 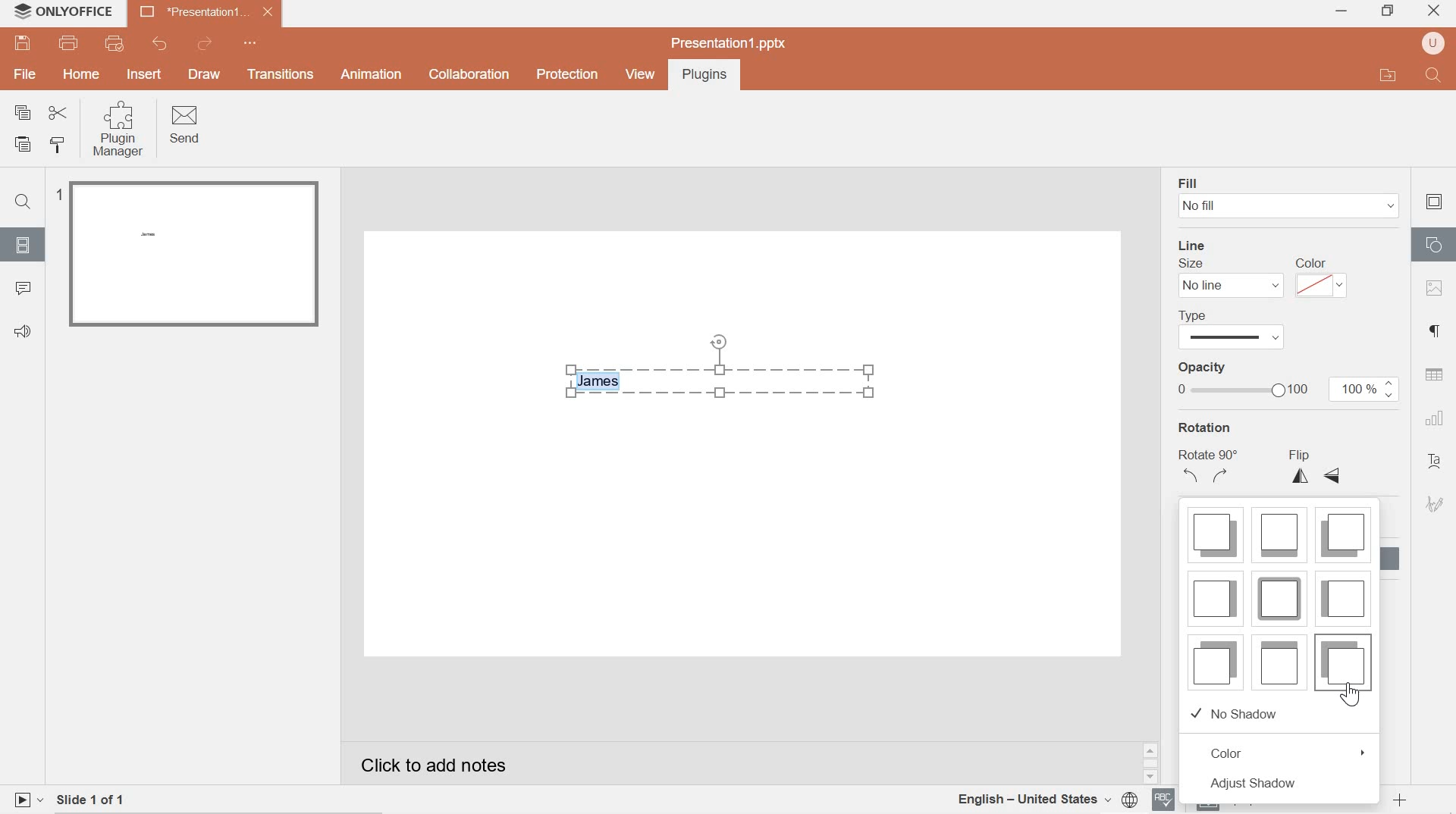 What do you see at coordinates (701, 76) in the screenshot?
I see `Plugins` at bounding box center [701, 76].